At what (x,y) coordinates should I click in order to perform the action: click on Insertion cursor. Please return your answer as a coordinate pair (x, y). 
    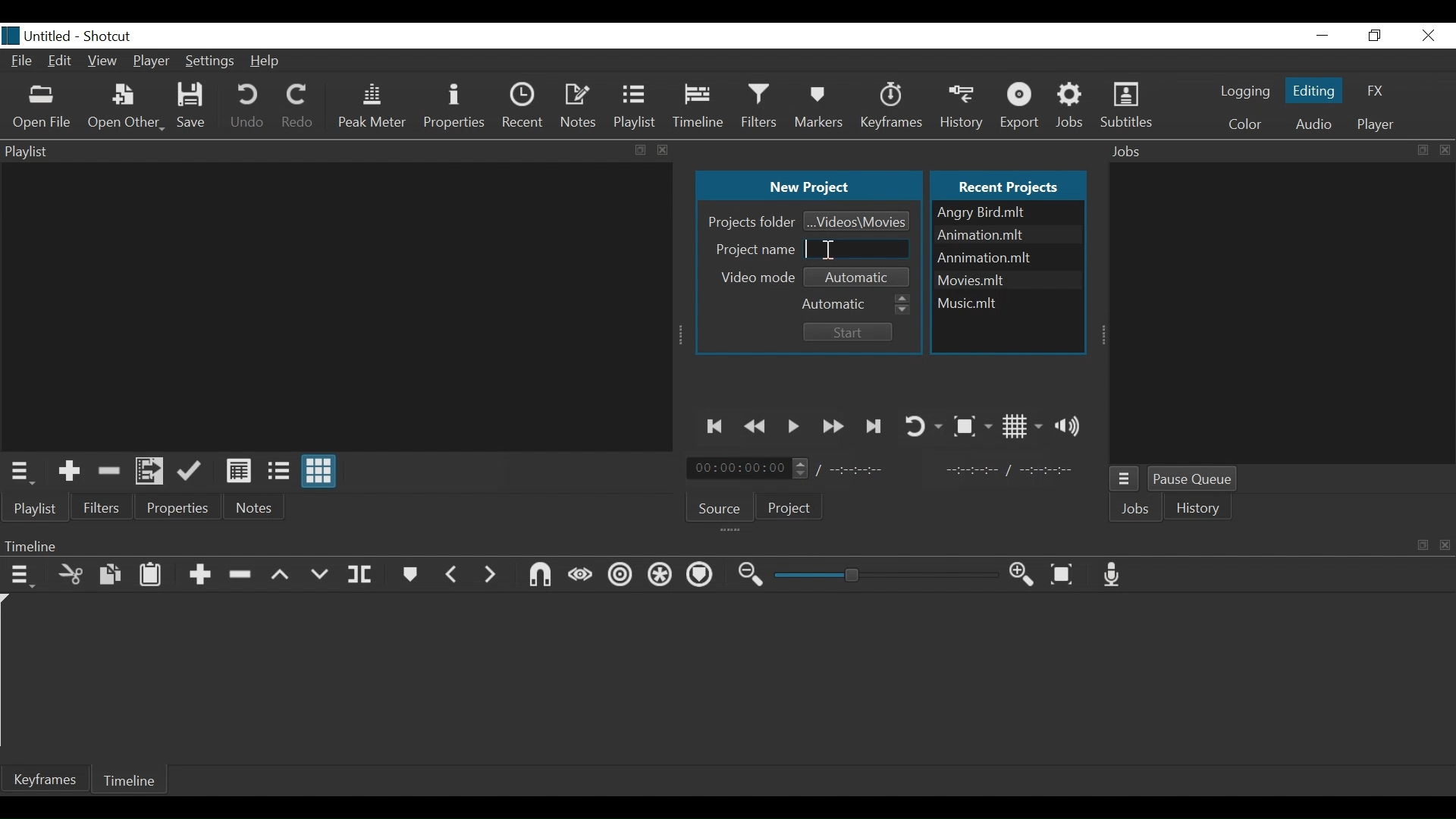
    Looking at the image, I should click on (827, 249).